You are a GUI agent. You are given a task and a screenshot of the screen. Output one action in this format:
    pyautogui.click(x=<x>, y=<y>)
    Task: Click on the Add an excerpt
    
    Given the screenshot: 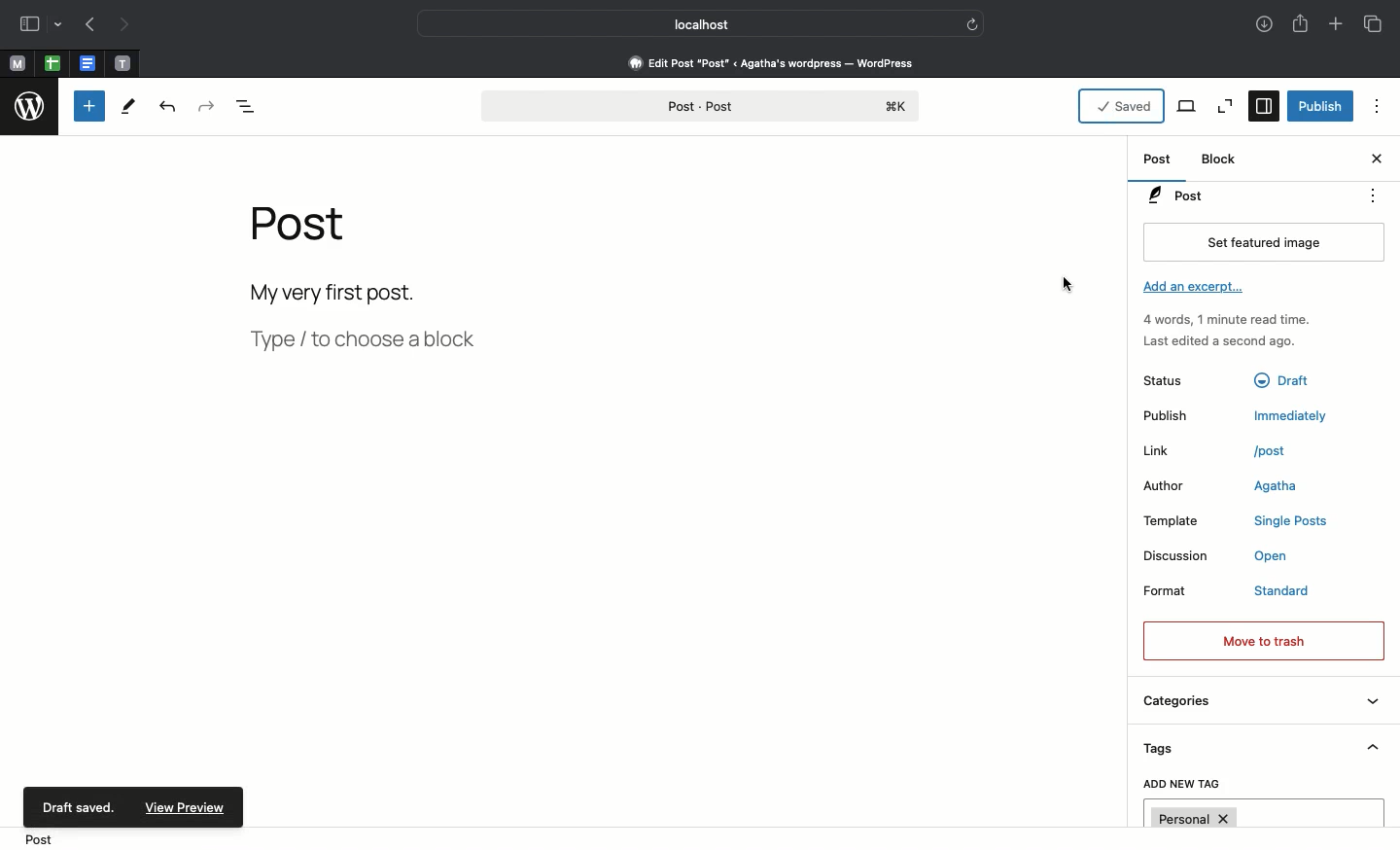 What is the action you would take?
    pyautogui.click(x=1201, y=292)
    